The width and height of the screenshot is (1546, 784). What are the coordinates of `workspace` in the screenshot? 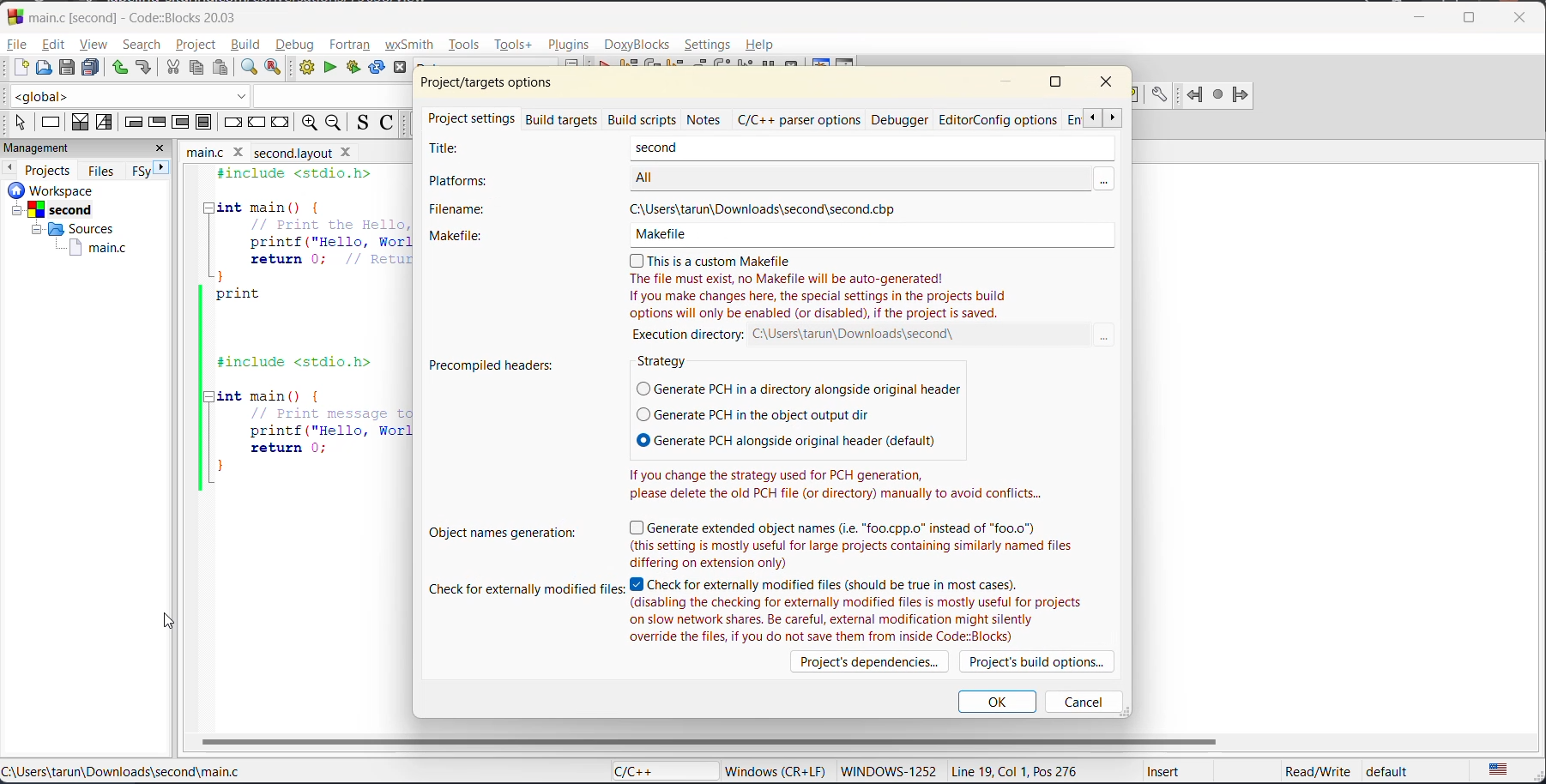 It's located at (69, 227).